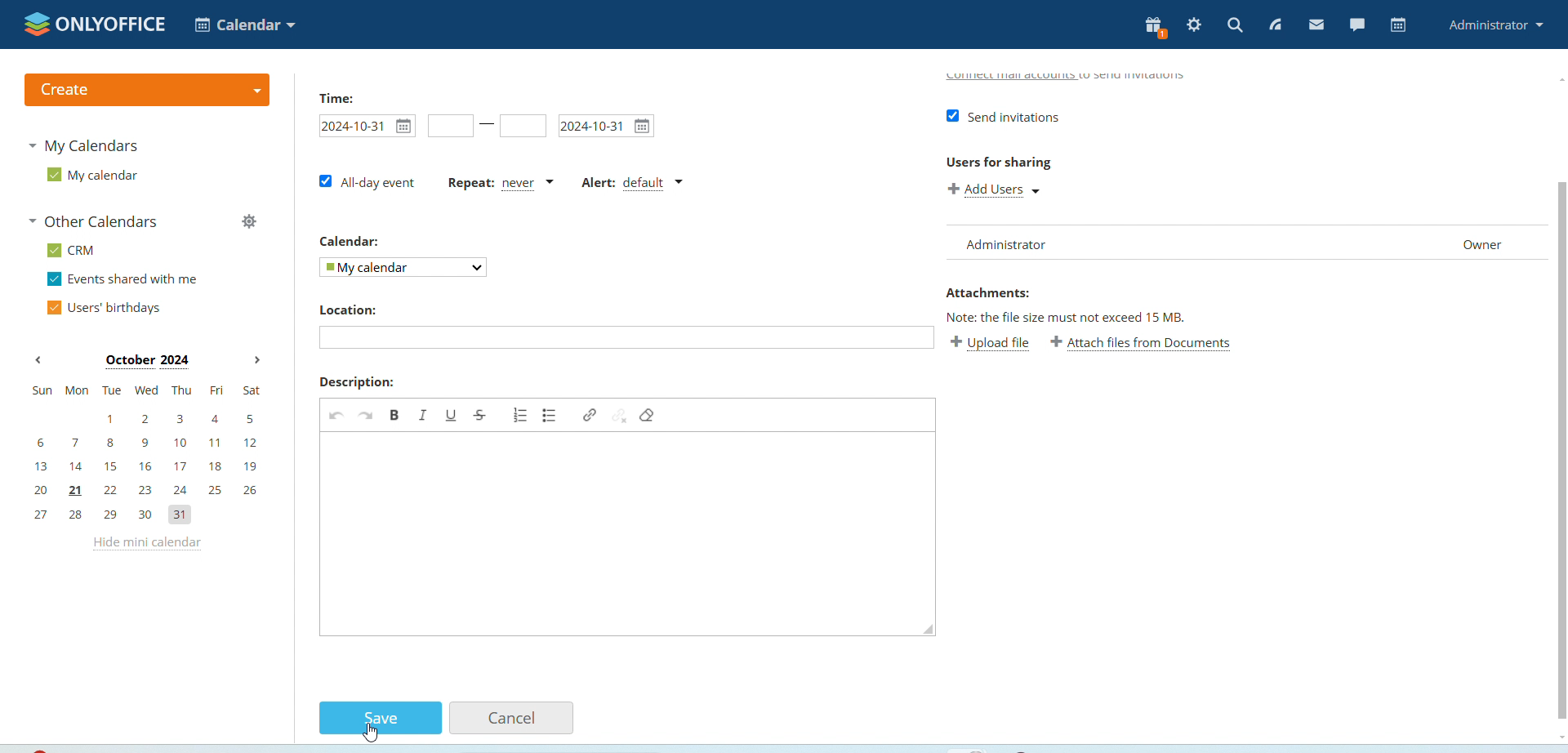 This screenshot has height=753, width=1568. I want to click on Italic, so click(425, 414).